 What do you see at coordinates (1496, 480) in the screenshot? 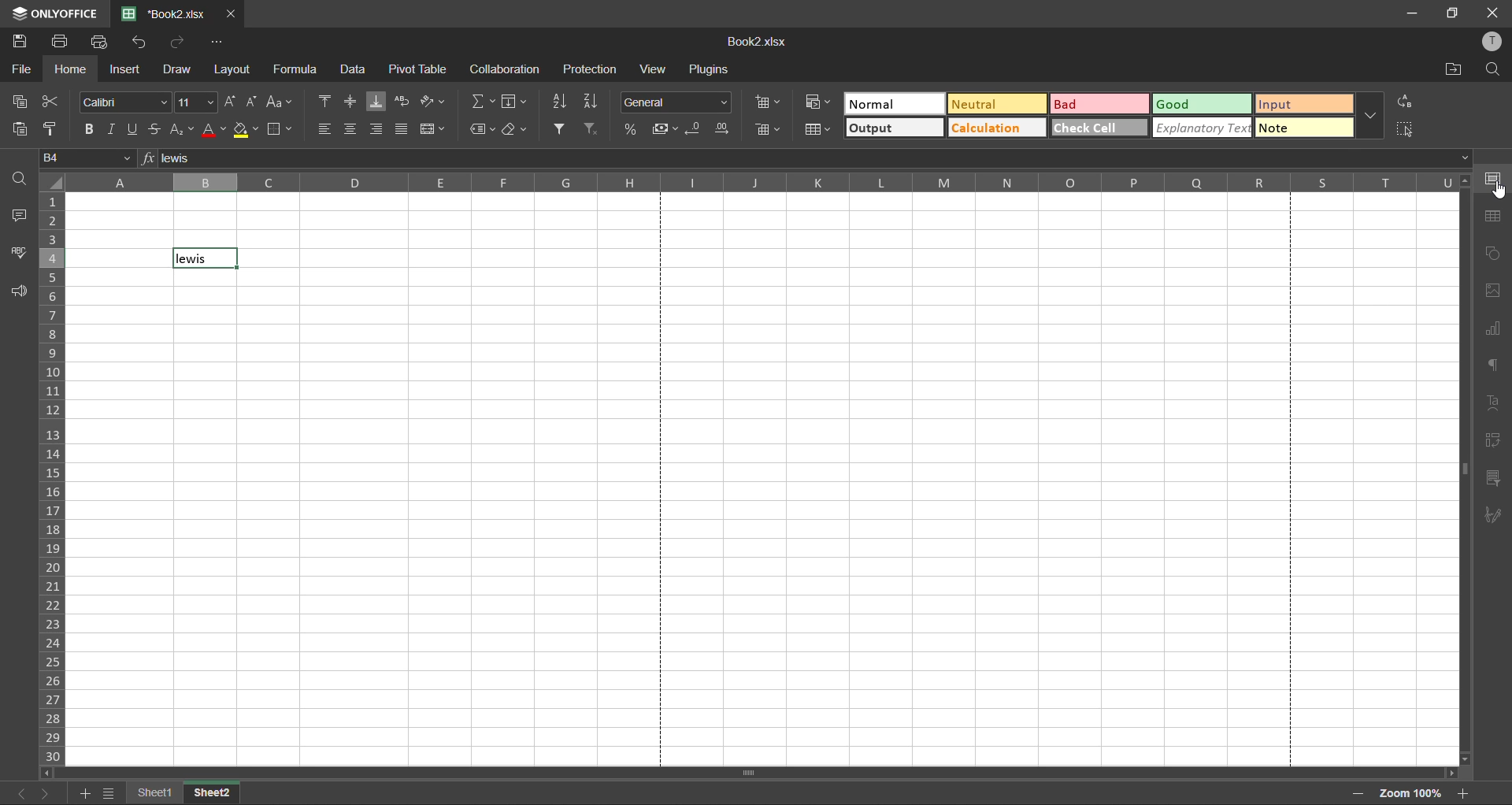
I see `slicer` at bounding box center [1496, 480].